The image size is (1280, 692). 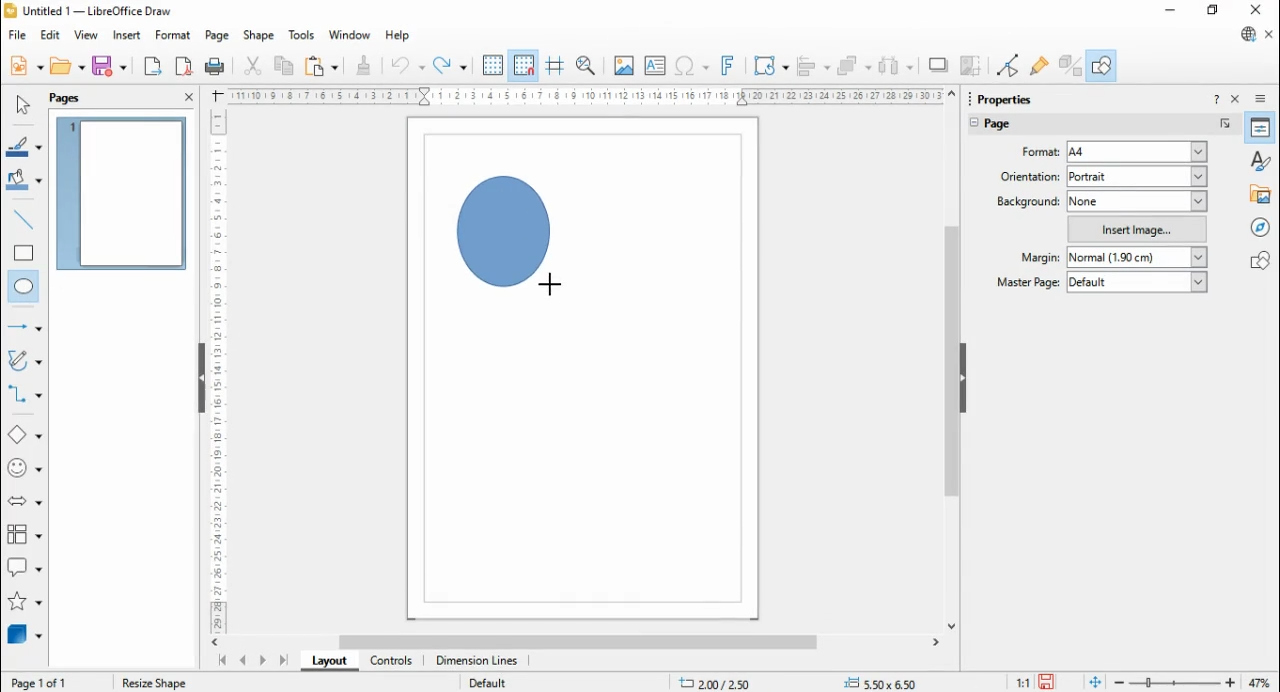 What do you see at coordinates (1024, 682) in the screenshot?
I see `11` at bounding box center [1024, 682].